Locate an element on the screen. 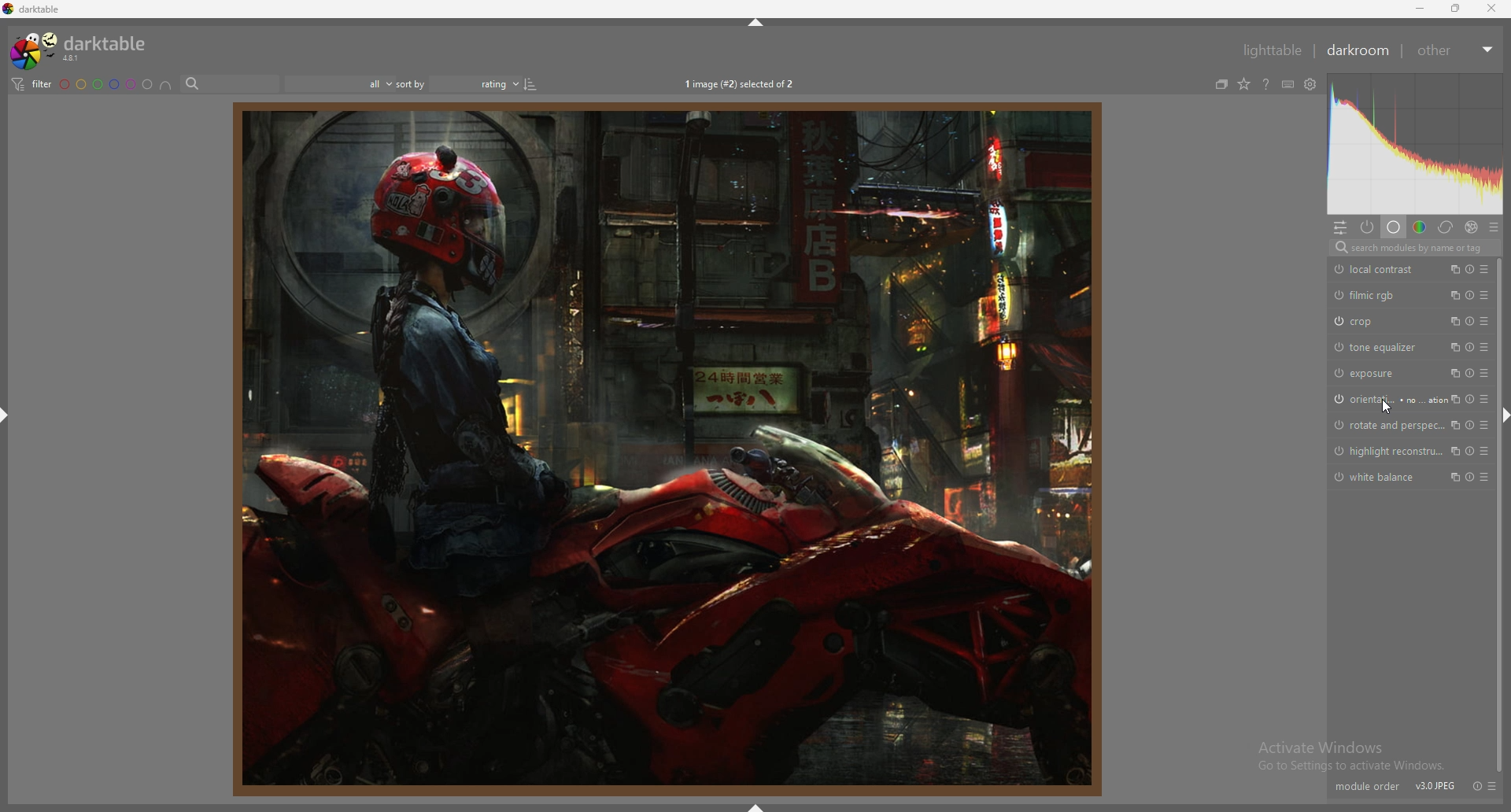 The width and height of the screenshot is (1511, 812). multiple instances action is located at coordinates (1452, 373).